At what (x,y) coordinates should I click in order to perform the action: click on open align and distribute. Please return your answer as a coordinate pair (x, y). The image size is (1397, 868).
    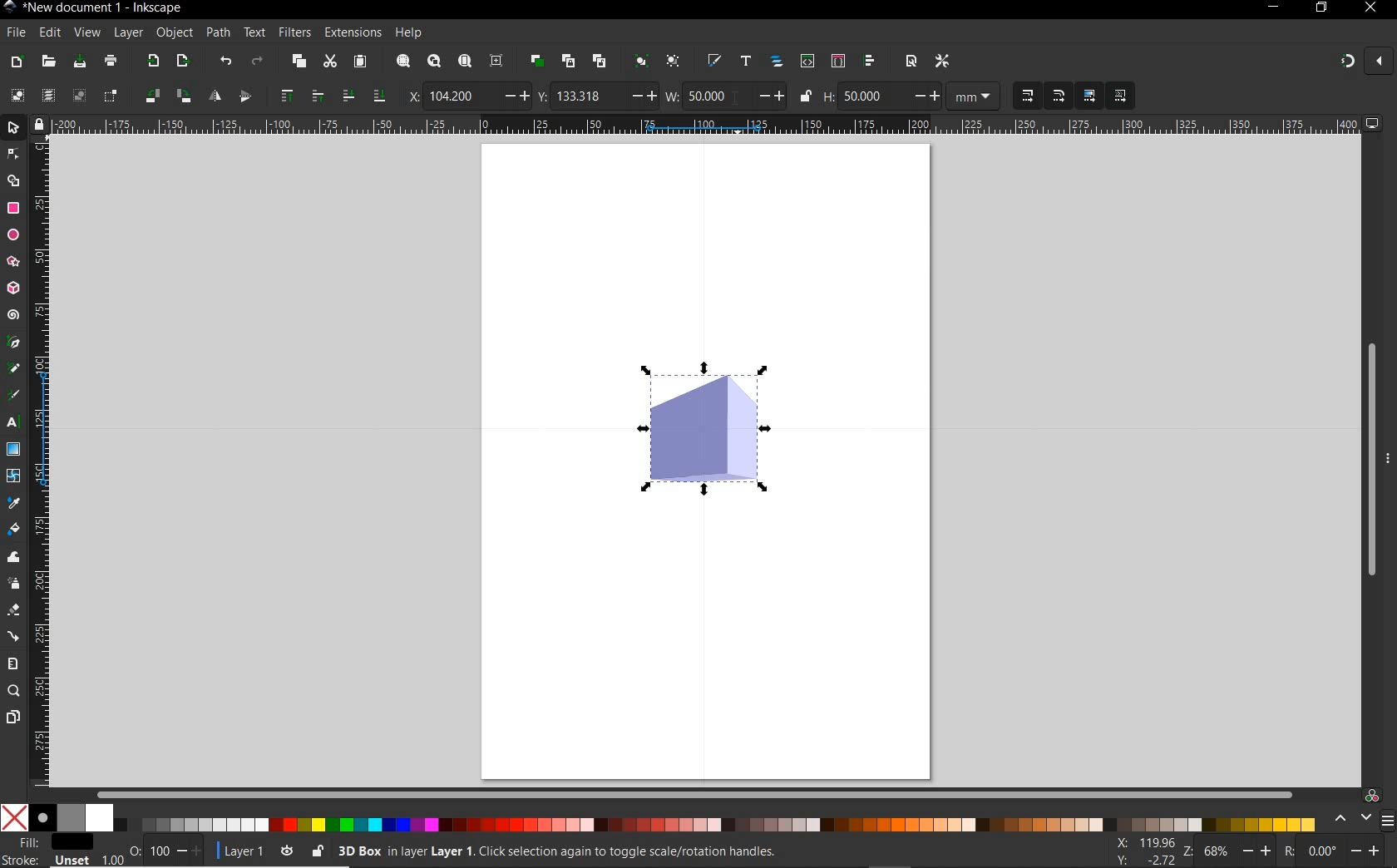
    Looking at the image, I should click on (870, 61).